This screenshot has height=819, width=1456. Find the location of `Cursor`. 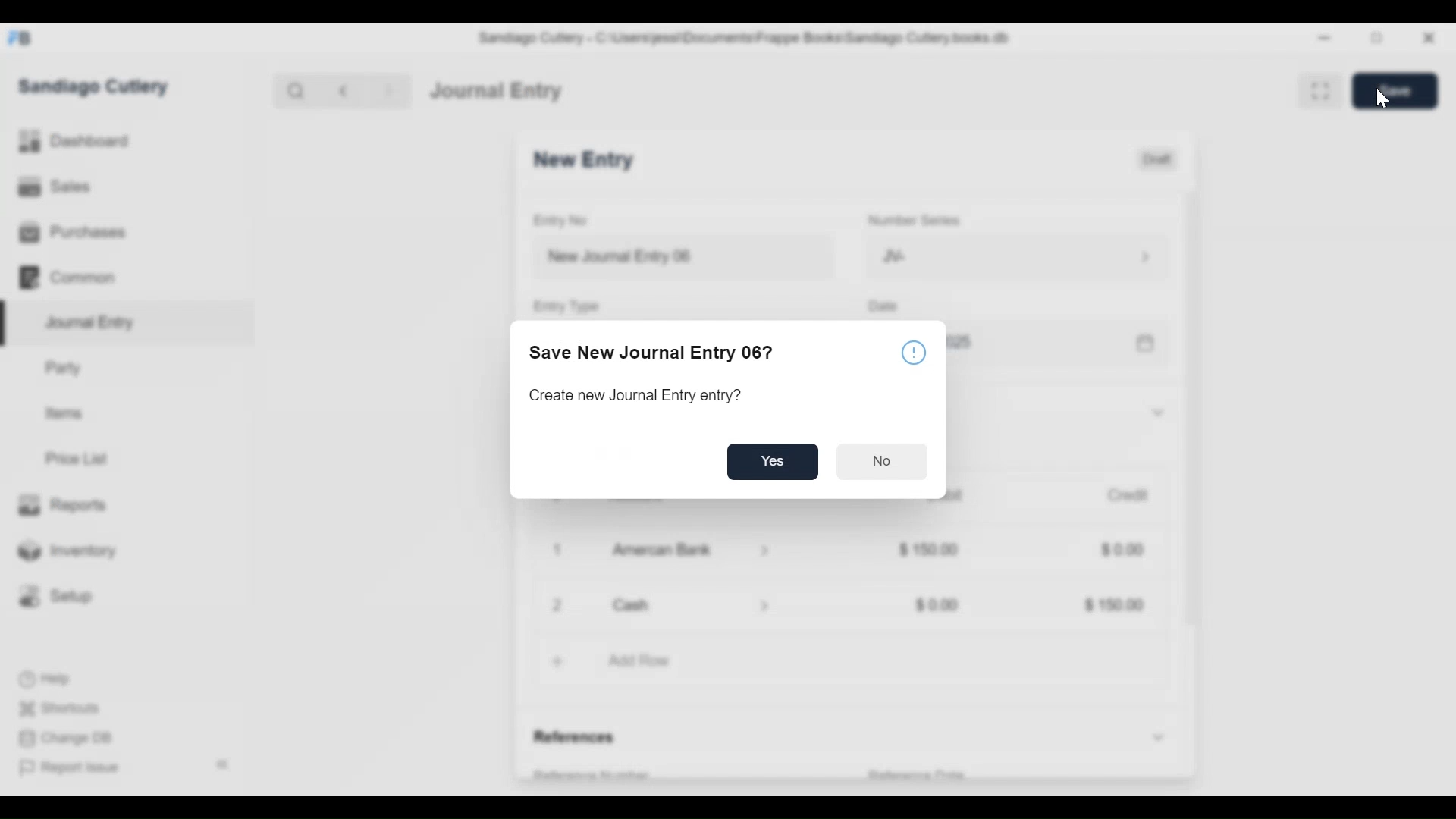

Cursor is located at coordinates (1385, 100).